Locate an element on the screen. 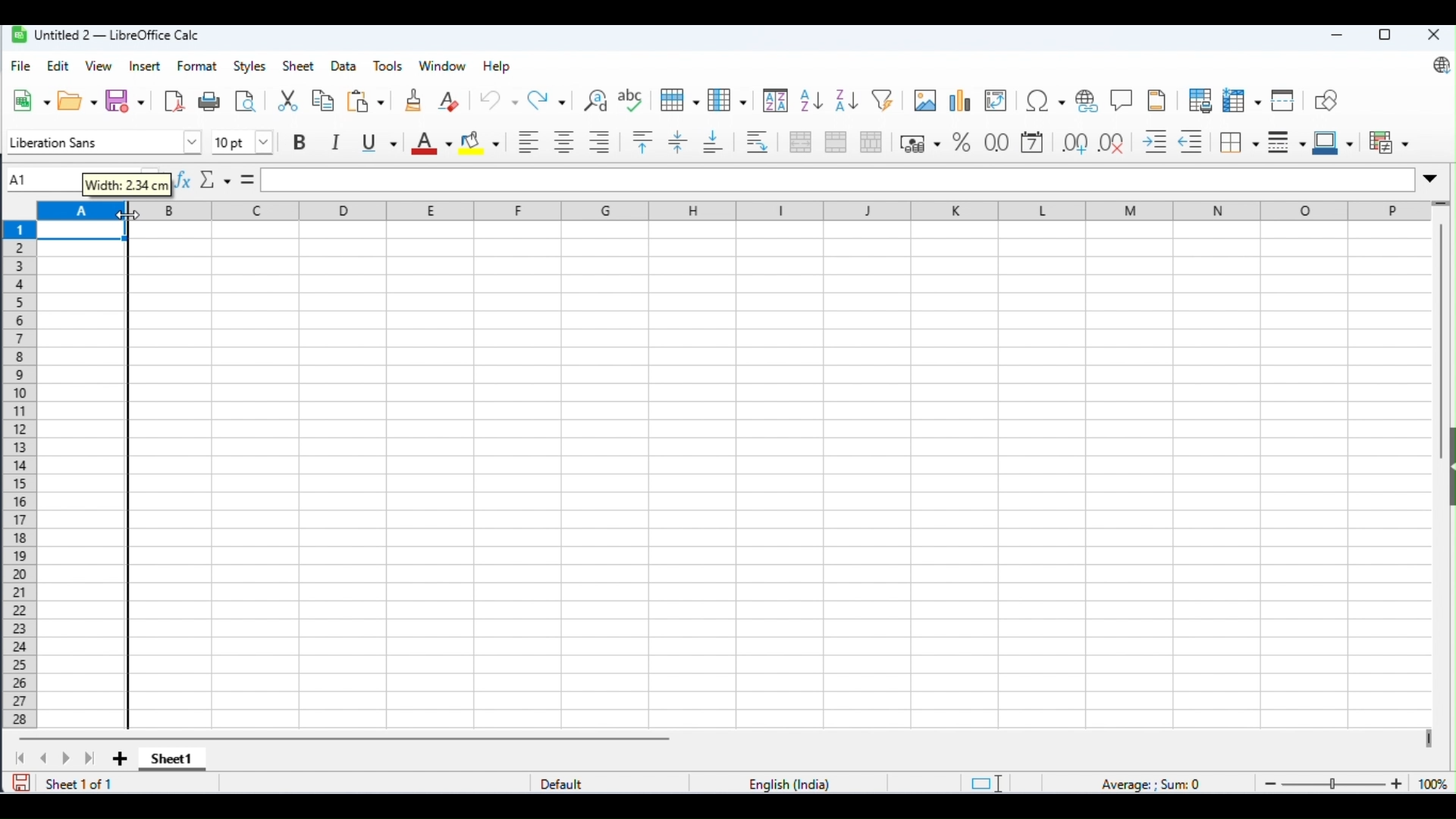 The width and height of the screenshot is (1456, 819). define print area is located at coordinates (1200, 99).